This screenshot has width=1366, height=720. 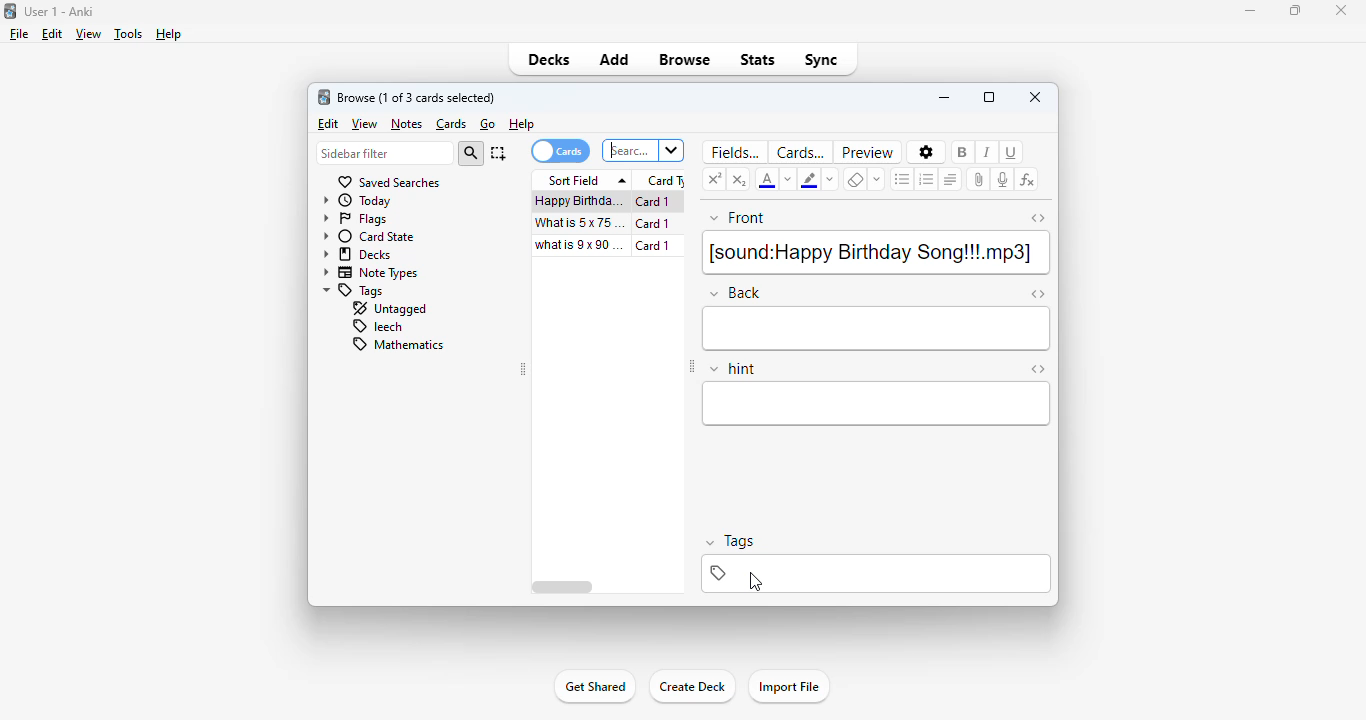 I want to click on notes, so click(x=406, y=124).